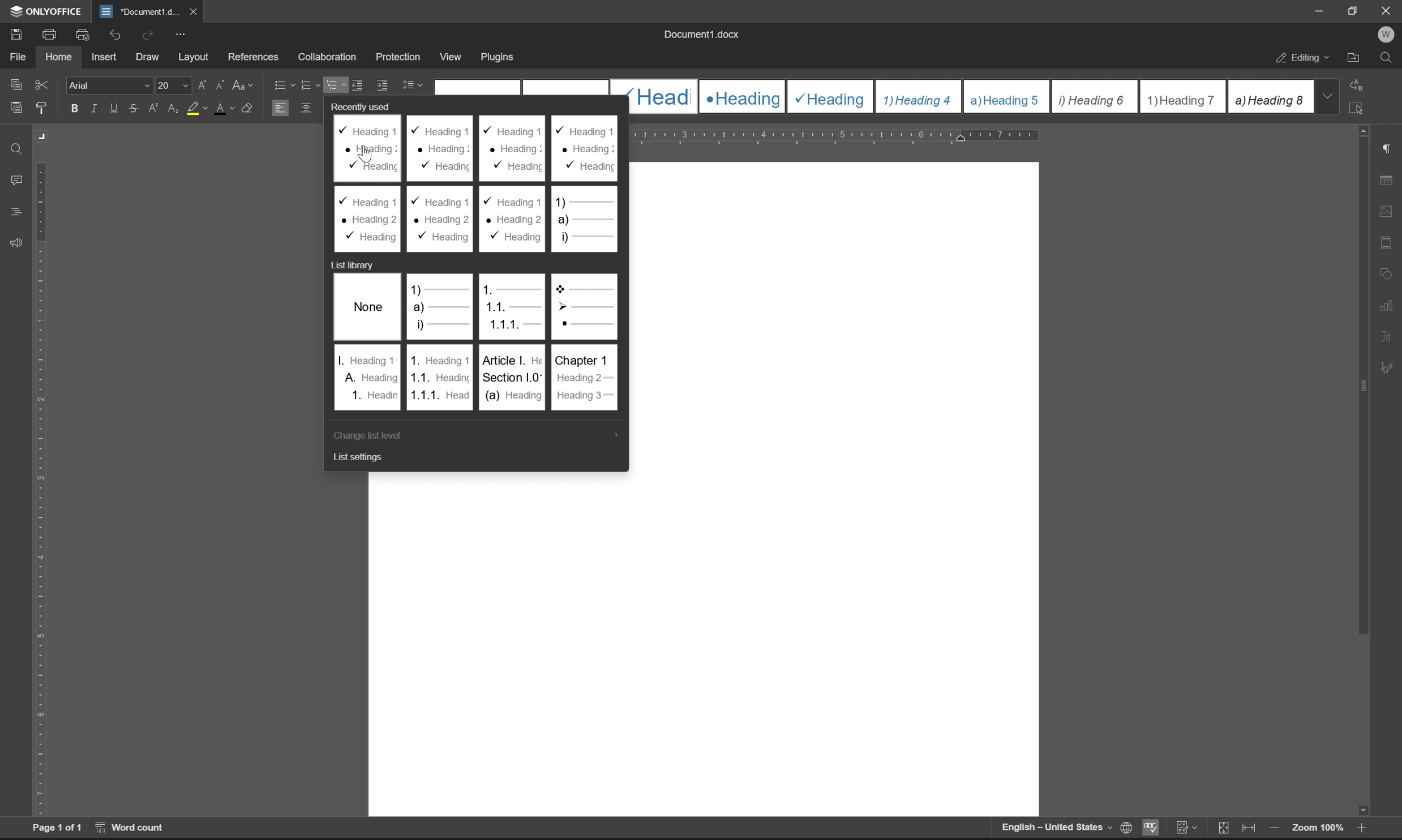 The image size is (1402, 840). Describe the element at coordinates (155, 108) in the screenshot. I see `superscript` at that location.